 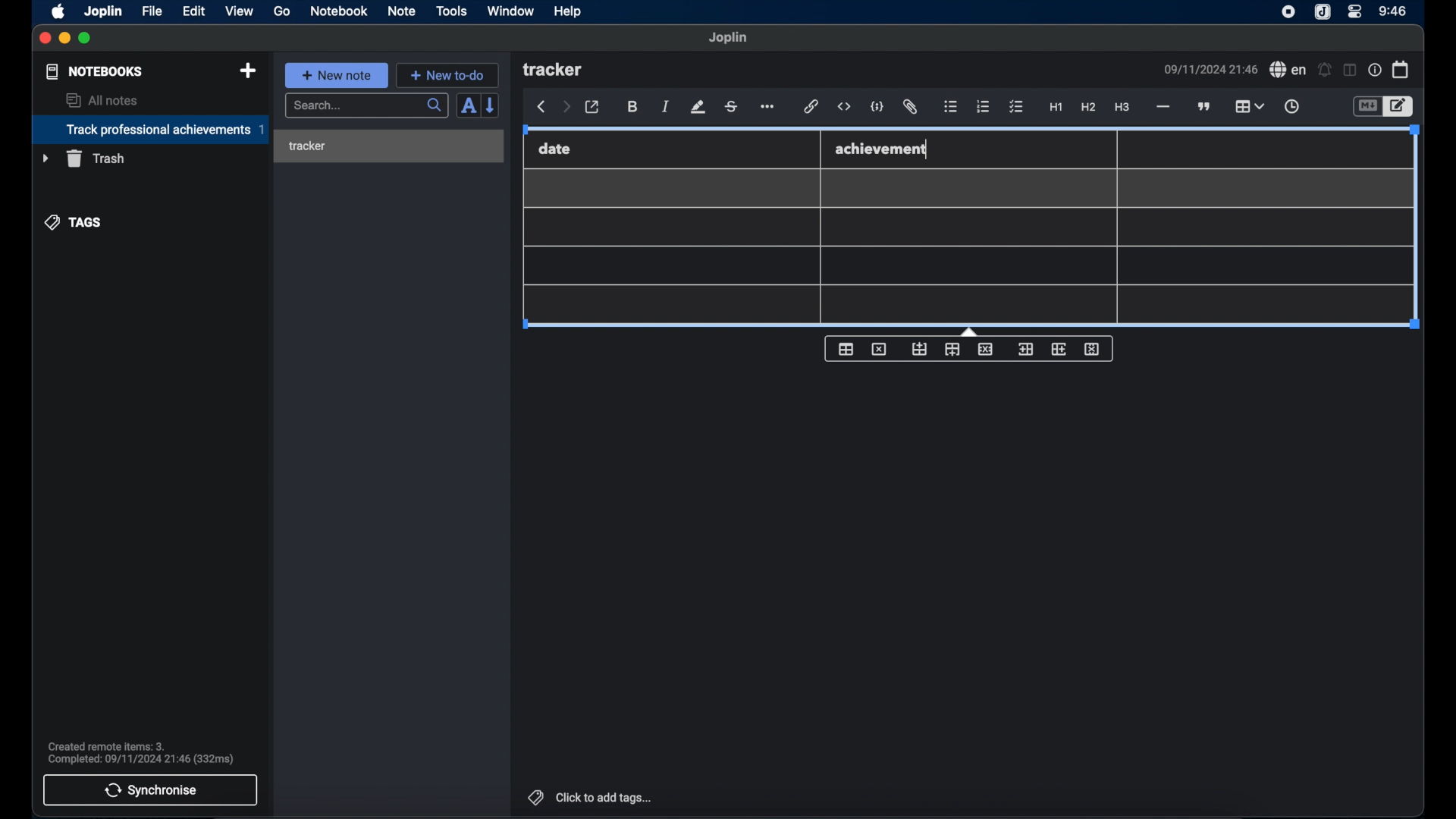 What do you see at coordinates (1088, 108) in the screenshot?
I see `heading 2` at bounding box center [1088, 108].